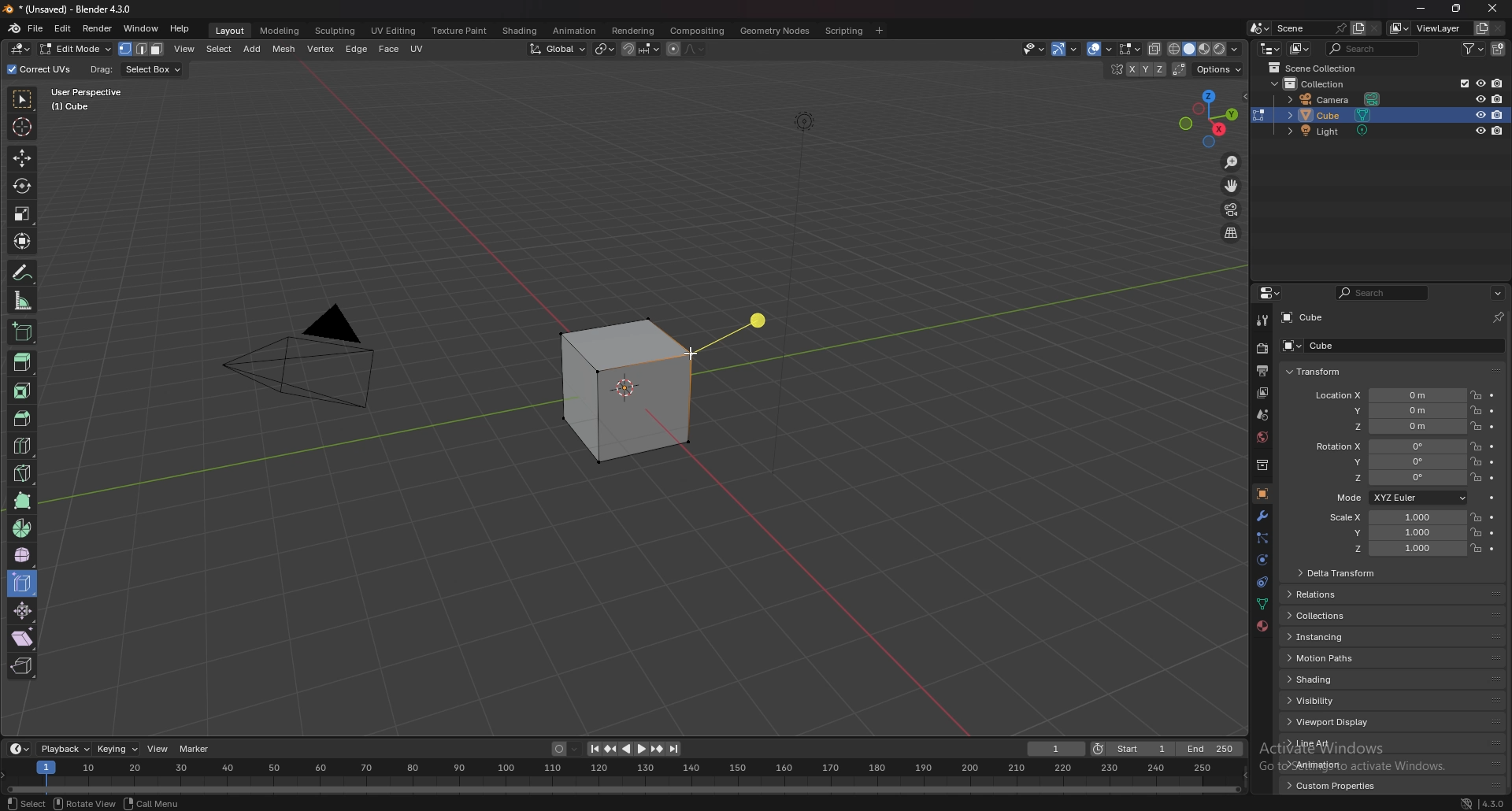  I want to click on editor type, so click(1272, 293).